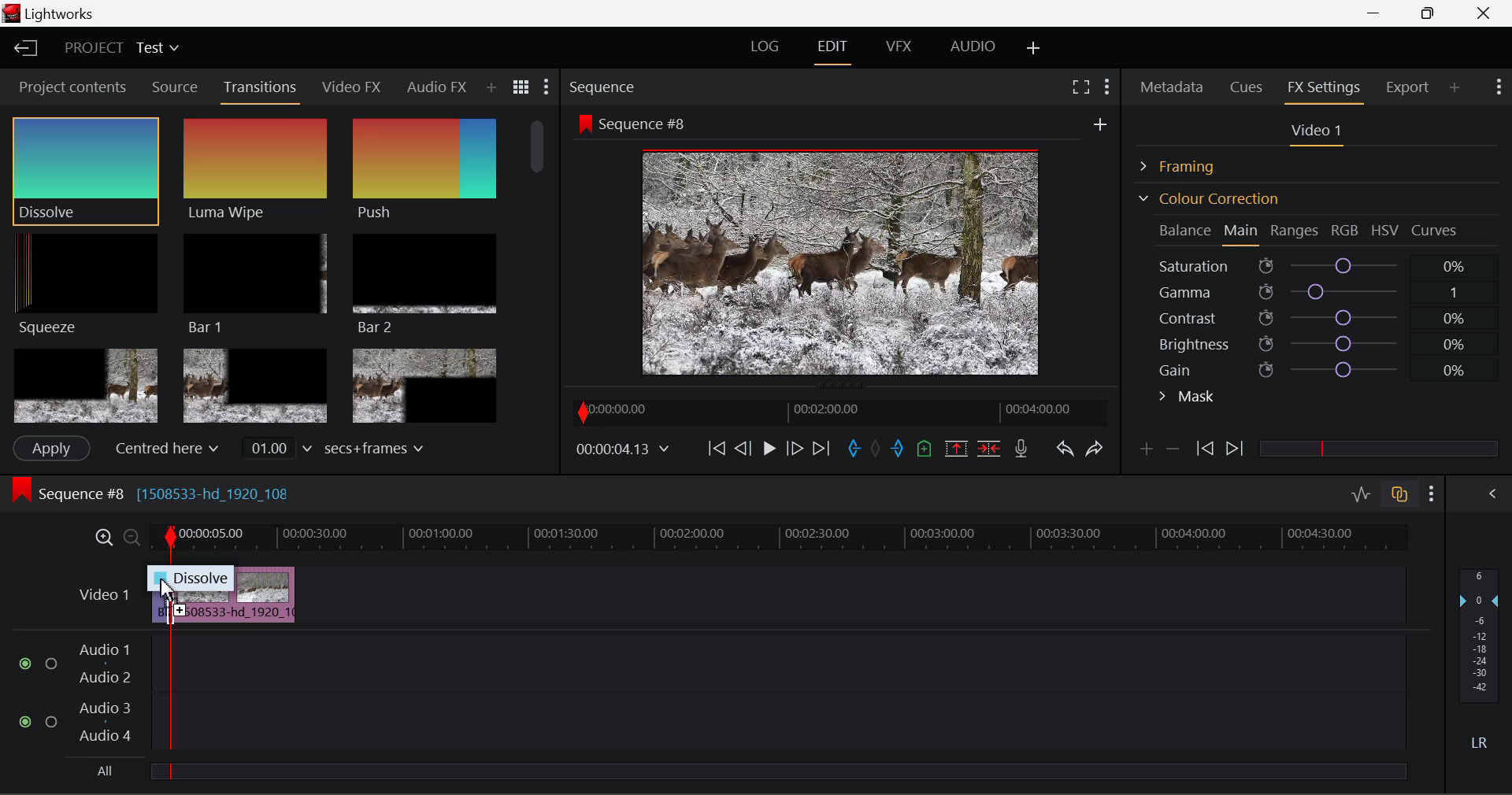 This screenshot has width=1512, height=795. I want to click on Source, so click(175, 87).